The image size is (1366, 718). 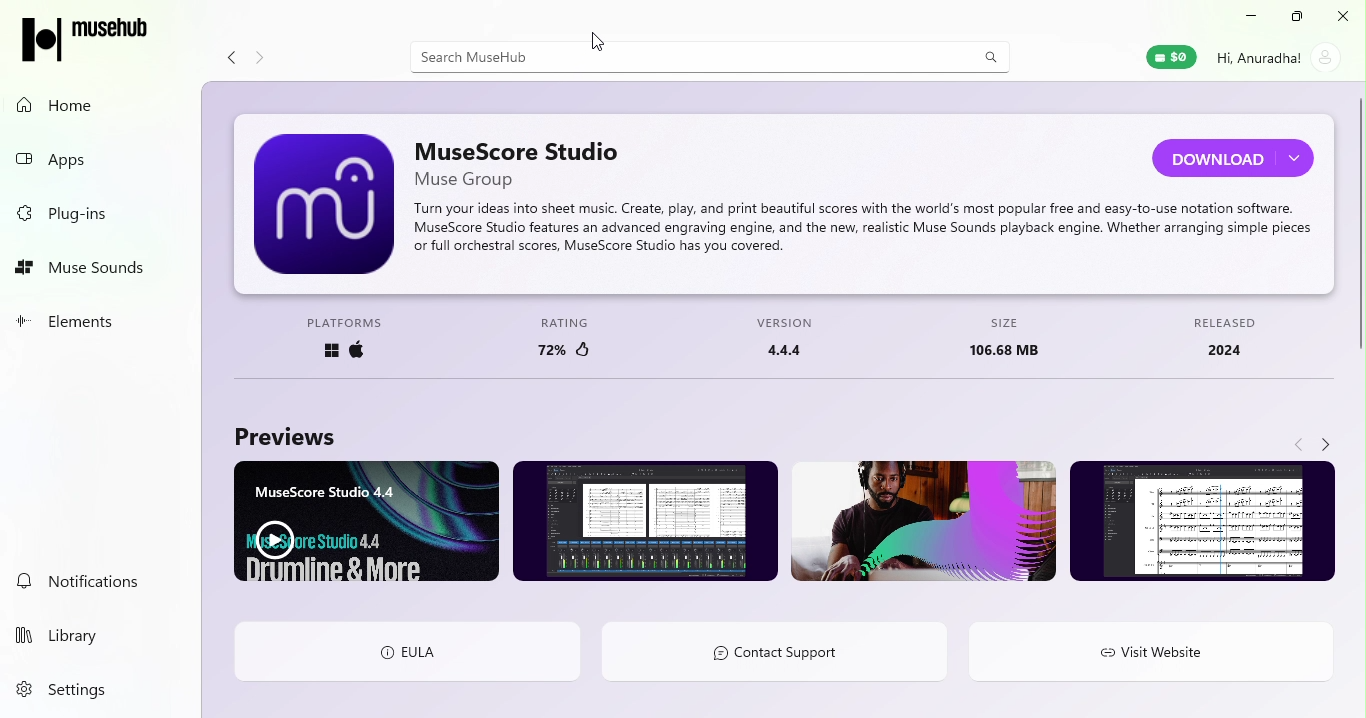 I want to click on Navigate back, so click(x=226, y=54).